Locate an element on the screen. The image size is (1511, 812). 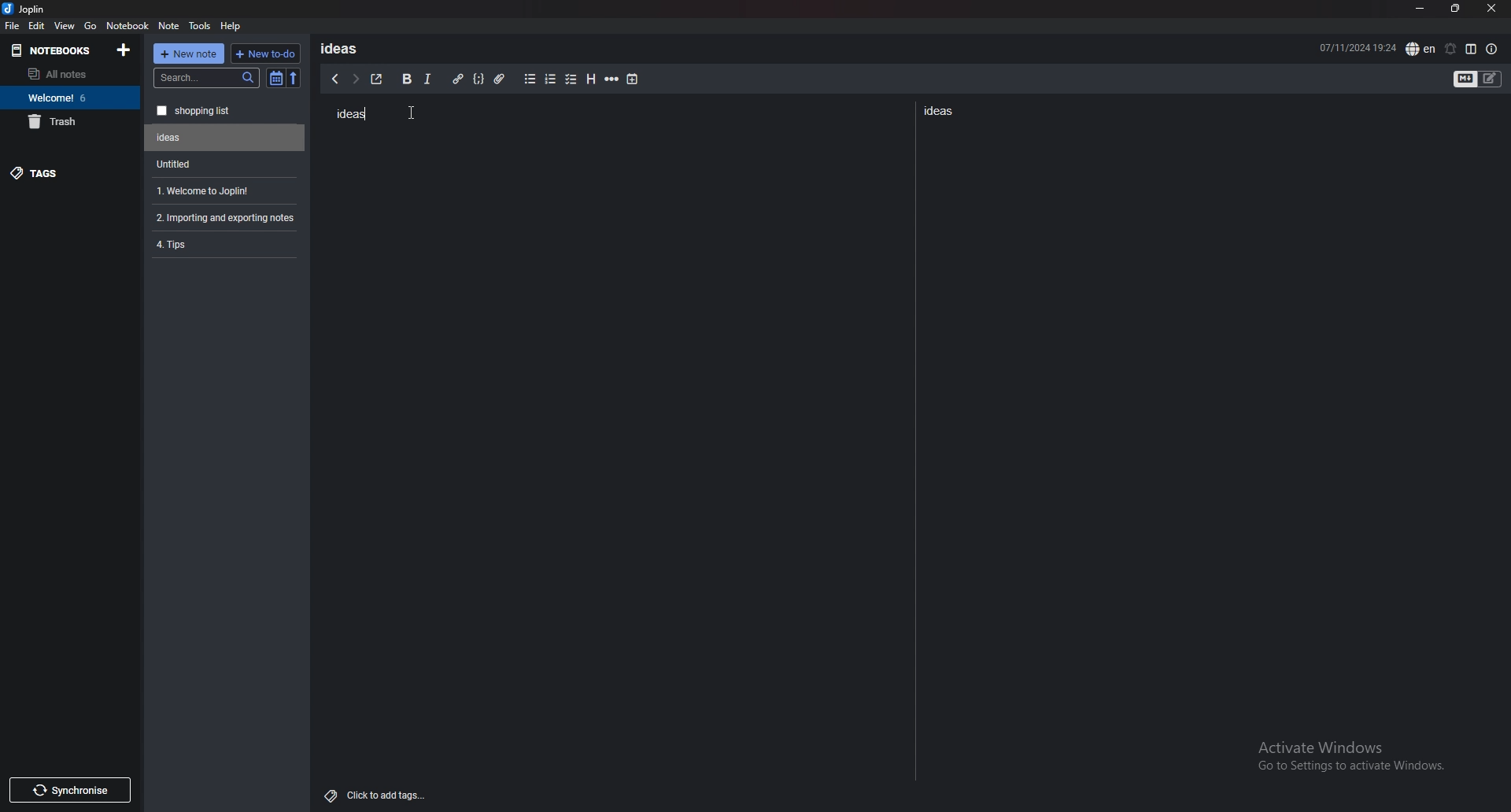
shopping list is located at coordinates (225, 111).